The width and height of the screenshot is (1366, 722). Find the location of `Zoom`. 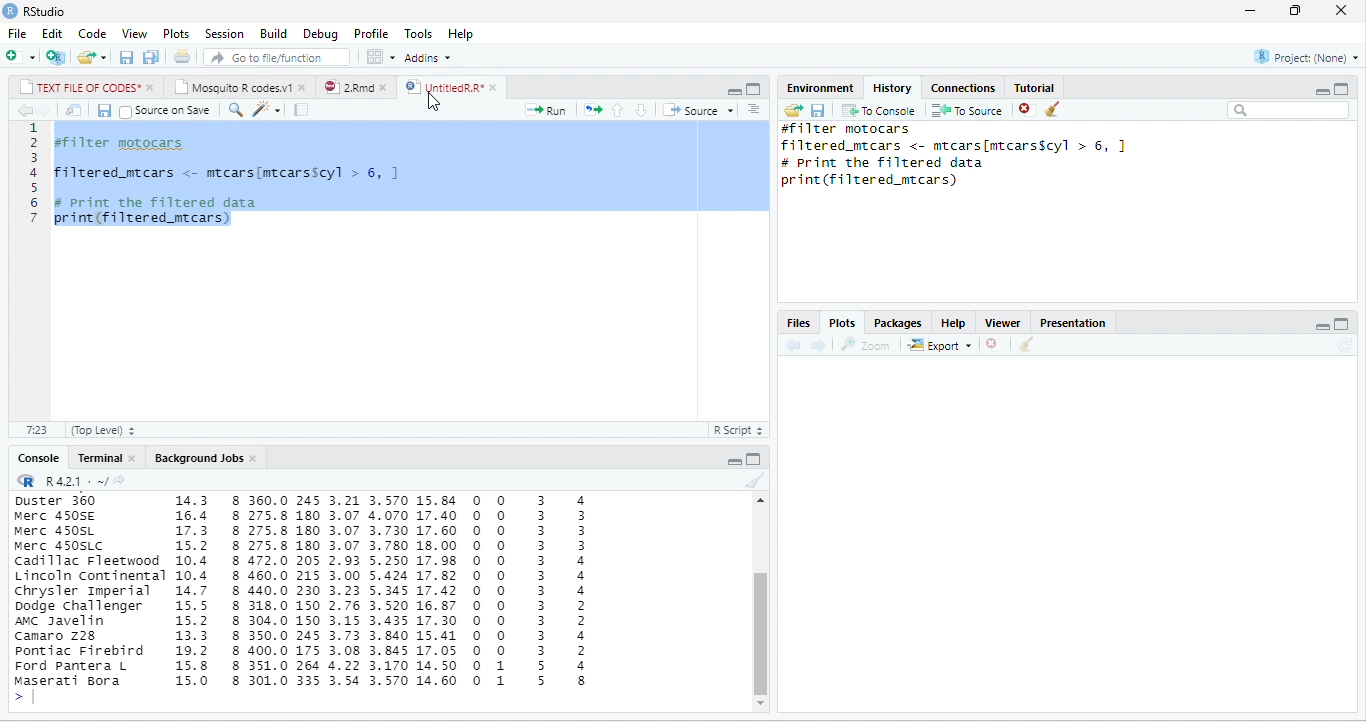

Zoom is located at coordinates (864, 345).